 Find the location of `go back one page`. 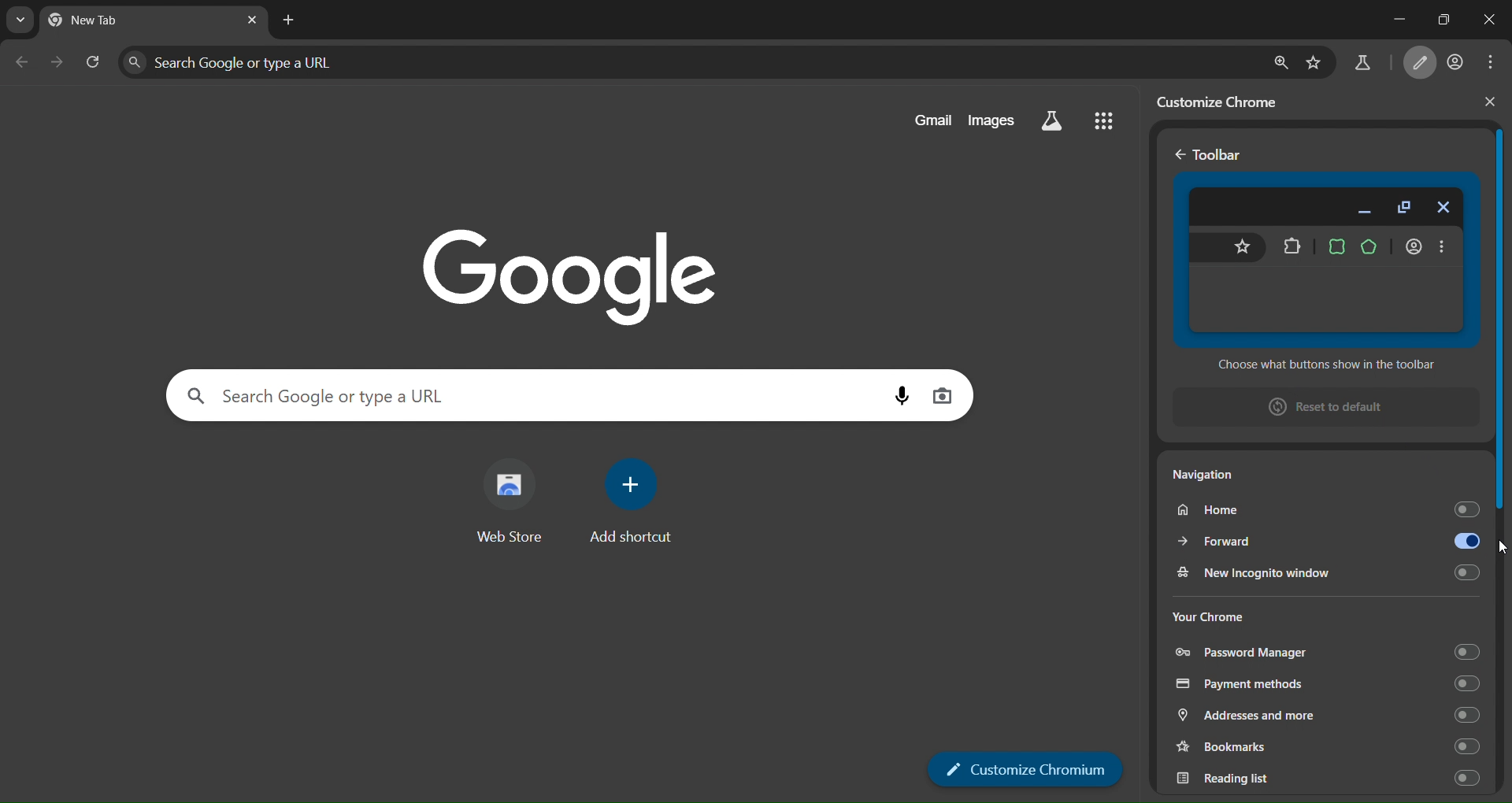

go back one page is located at coordinates (22, 61).